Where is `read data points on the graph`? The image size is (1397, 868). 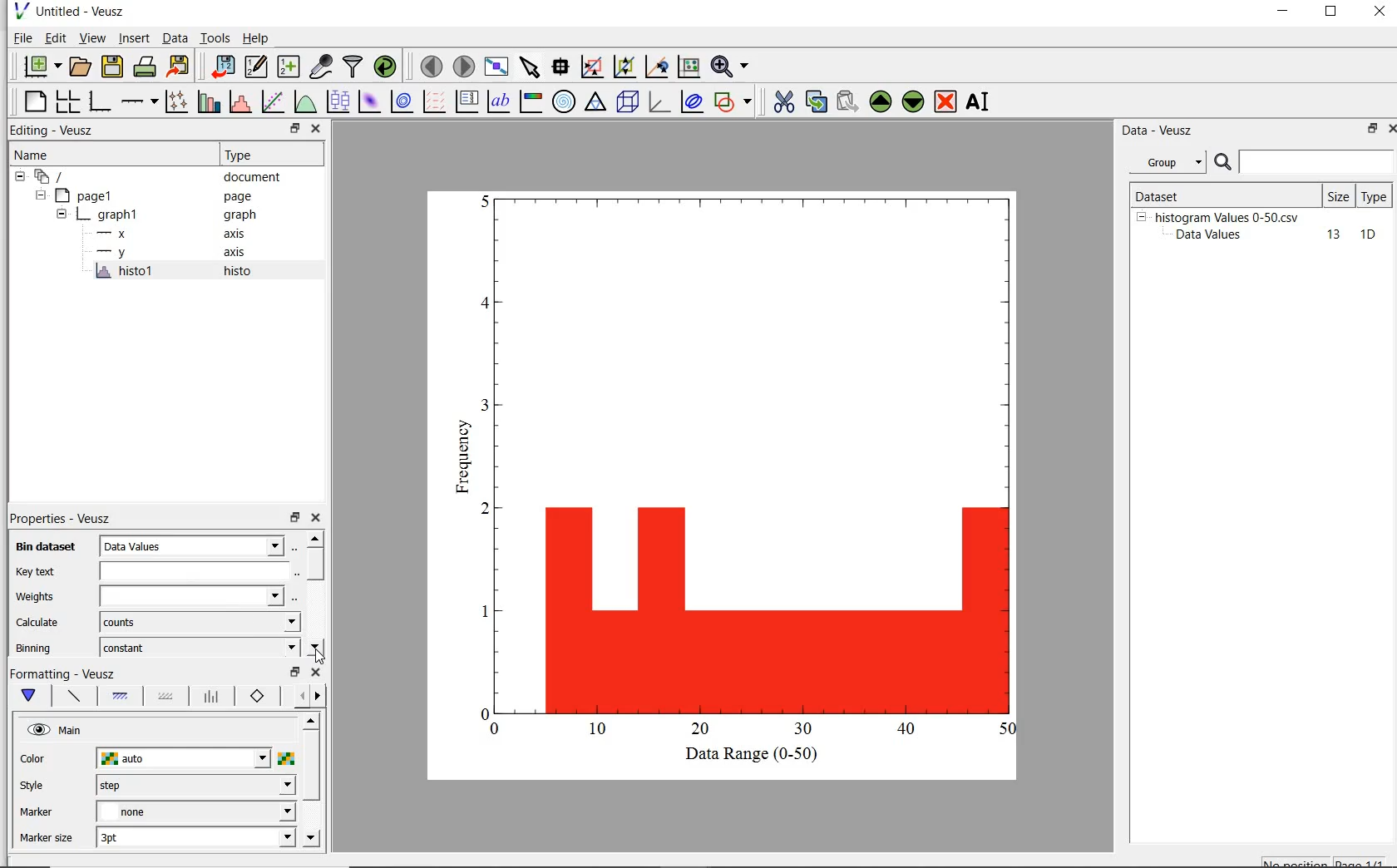
read data points on the graph is located at coordinates (562, 67).